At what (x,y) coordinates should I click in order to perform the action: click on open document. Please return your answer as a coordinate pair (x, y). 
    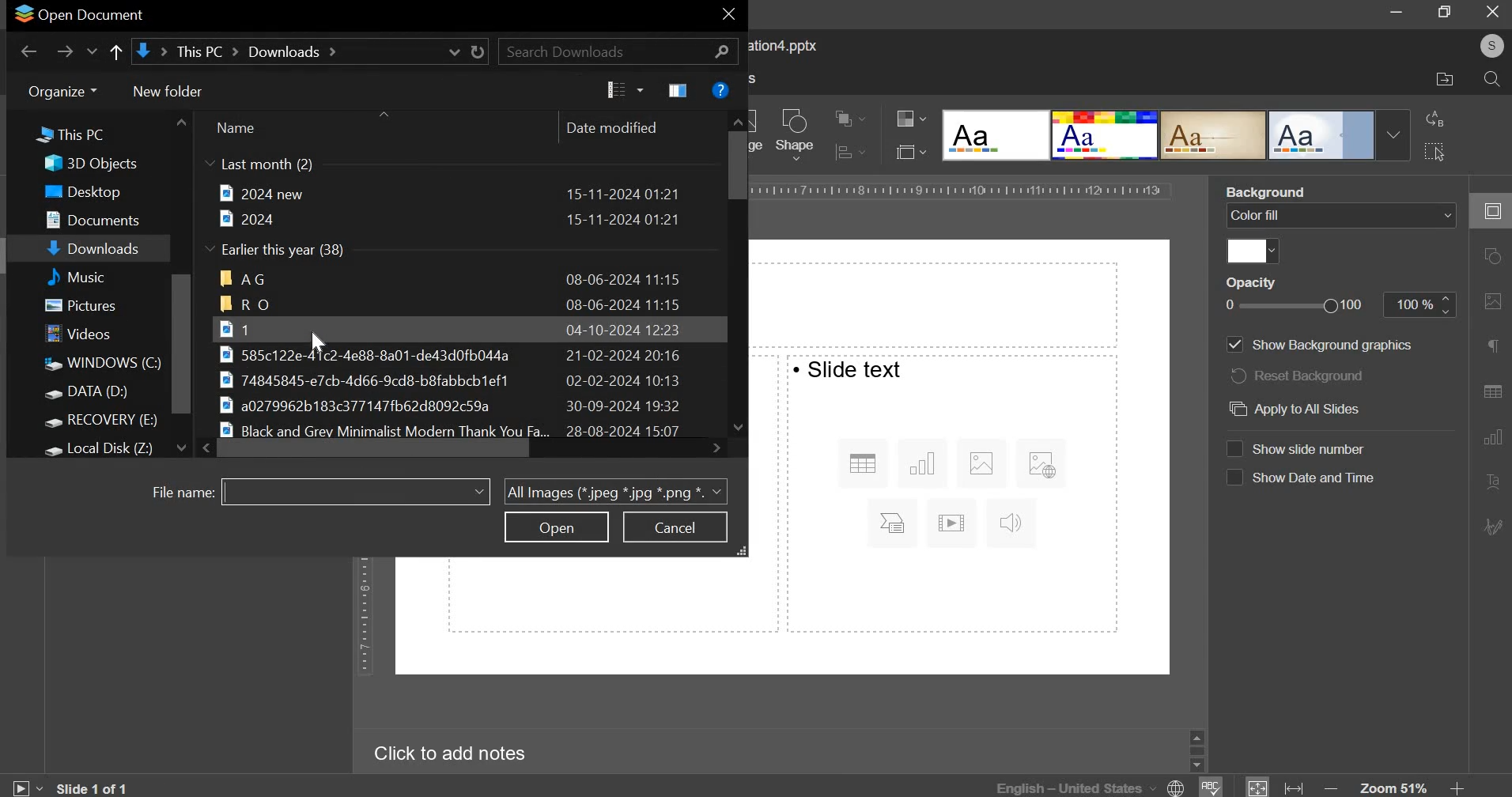
    Looking at the image, I should click on (77, 13).